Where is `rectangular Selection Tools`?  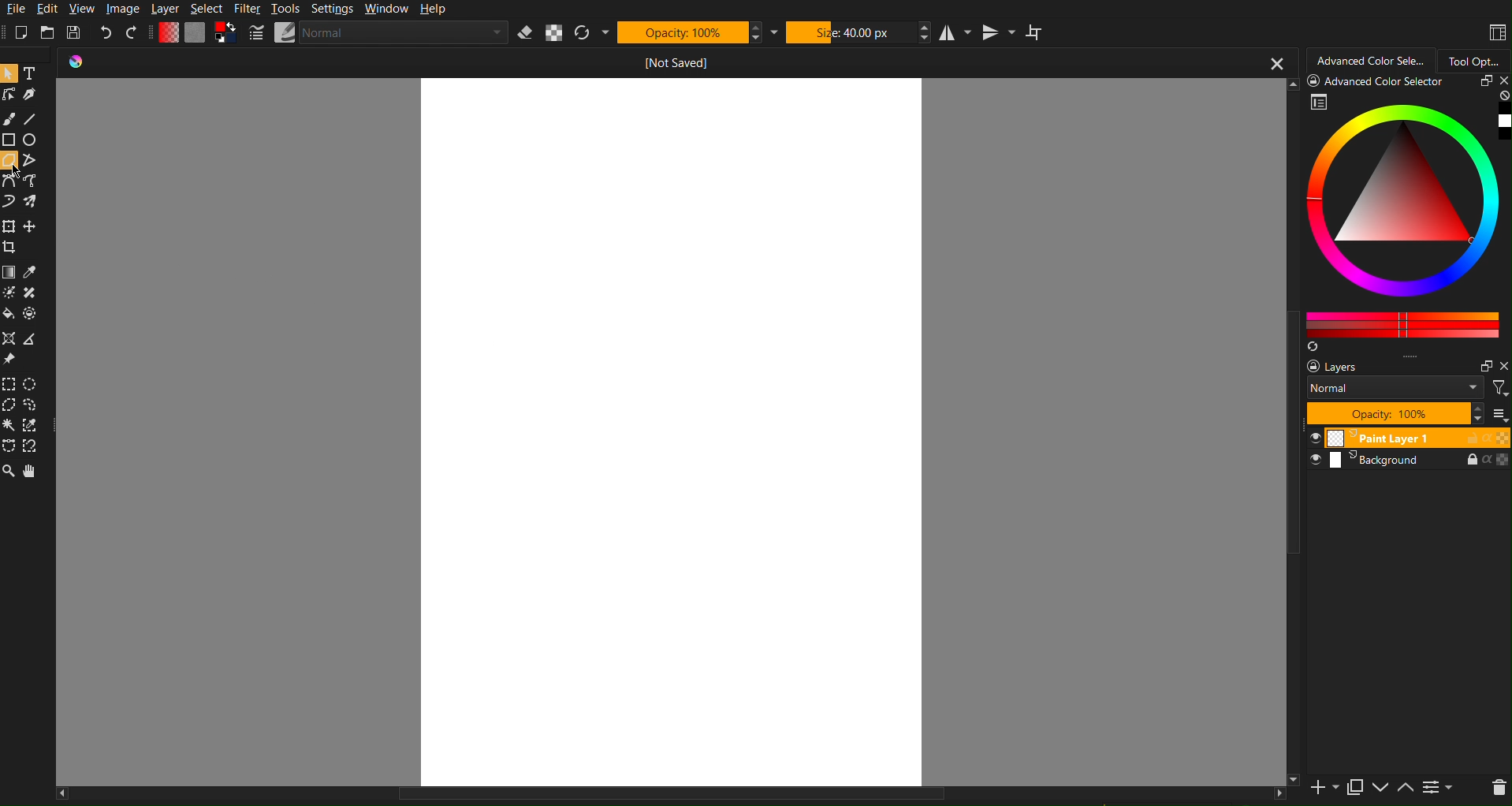
rectangular Selection Tools is located at coordinates (9, 382).